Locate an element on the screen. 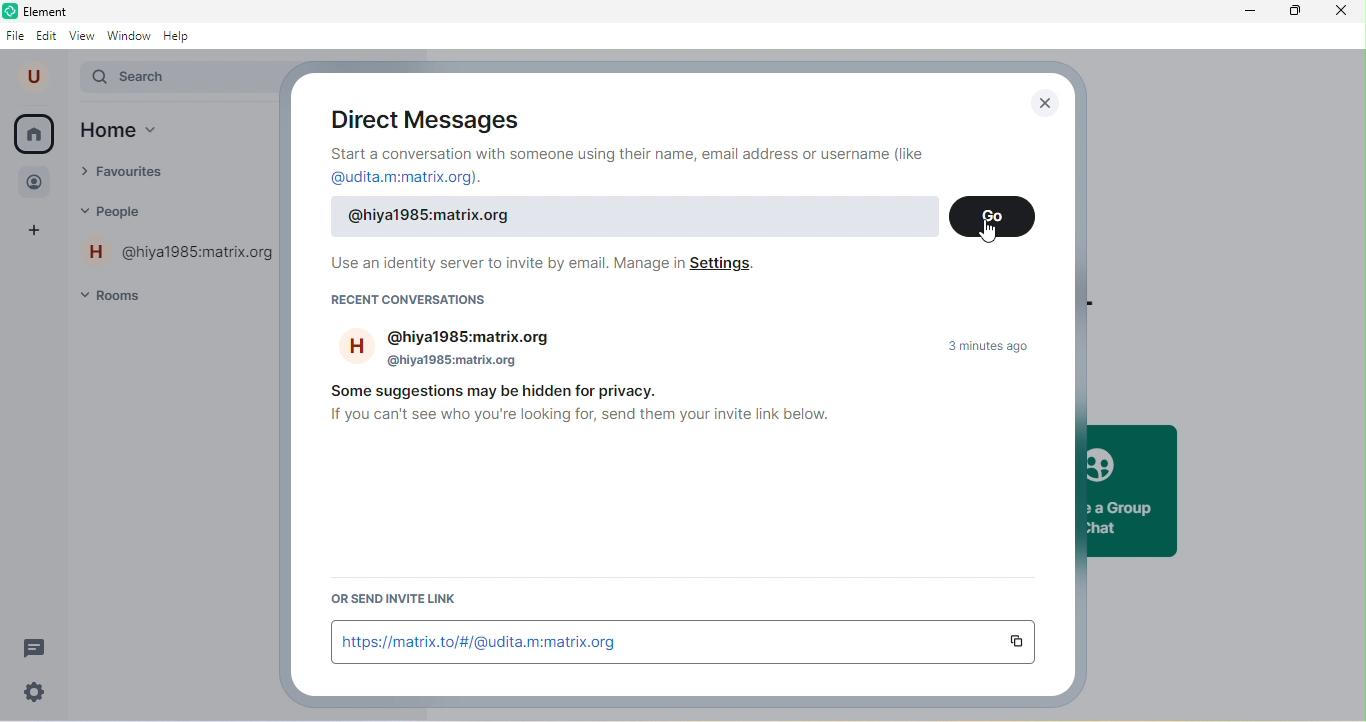  copy is located at coordinates (1022, 642).